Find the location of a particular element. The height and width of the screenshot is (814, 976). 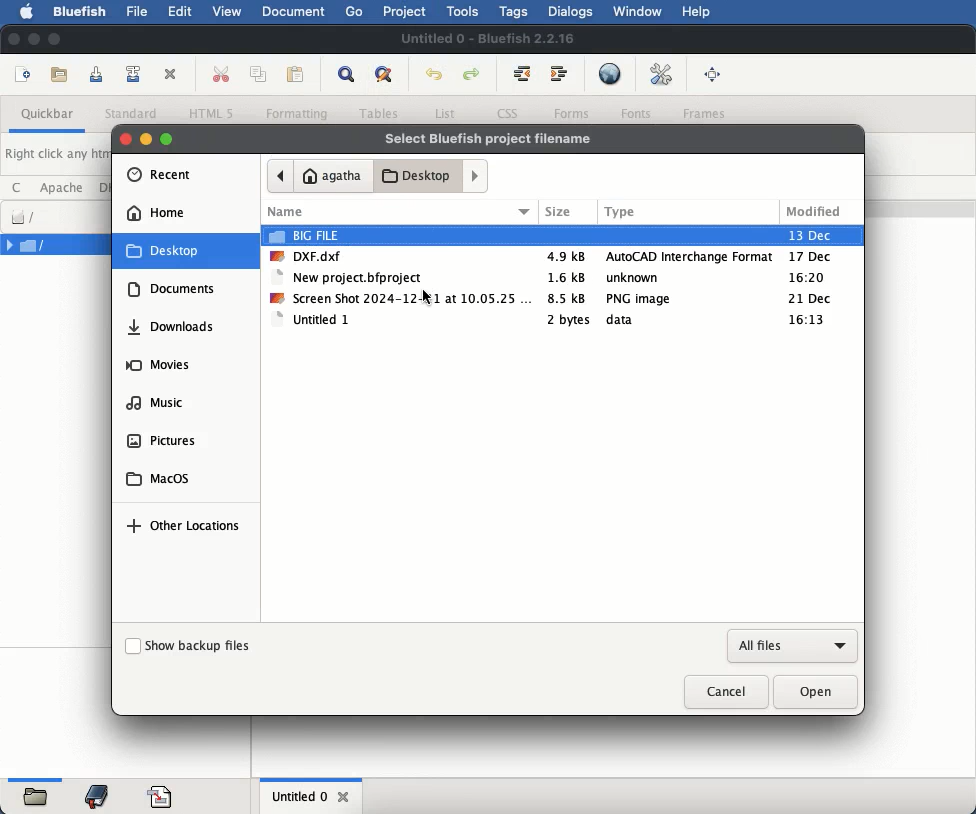

49kB is located at coordinates (567, 255).